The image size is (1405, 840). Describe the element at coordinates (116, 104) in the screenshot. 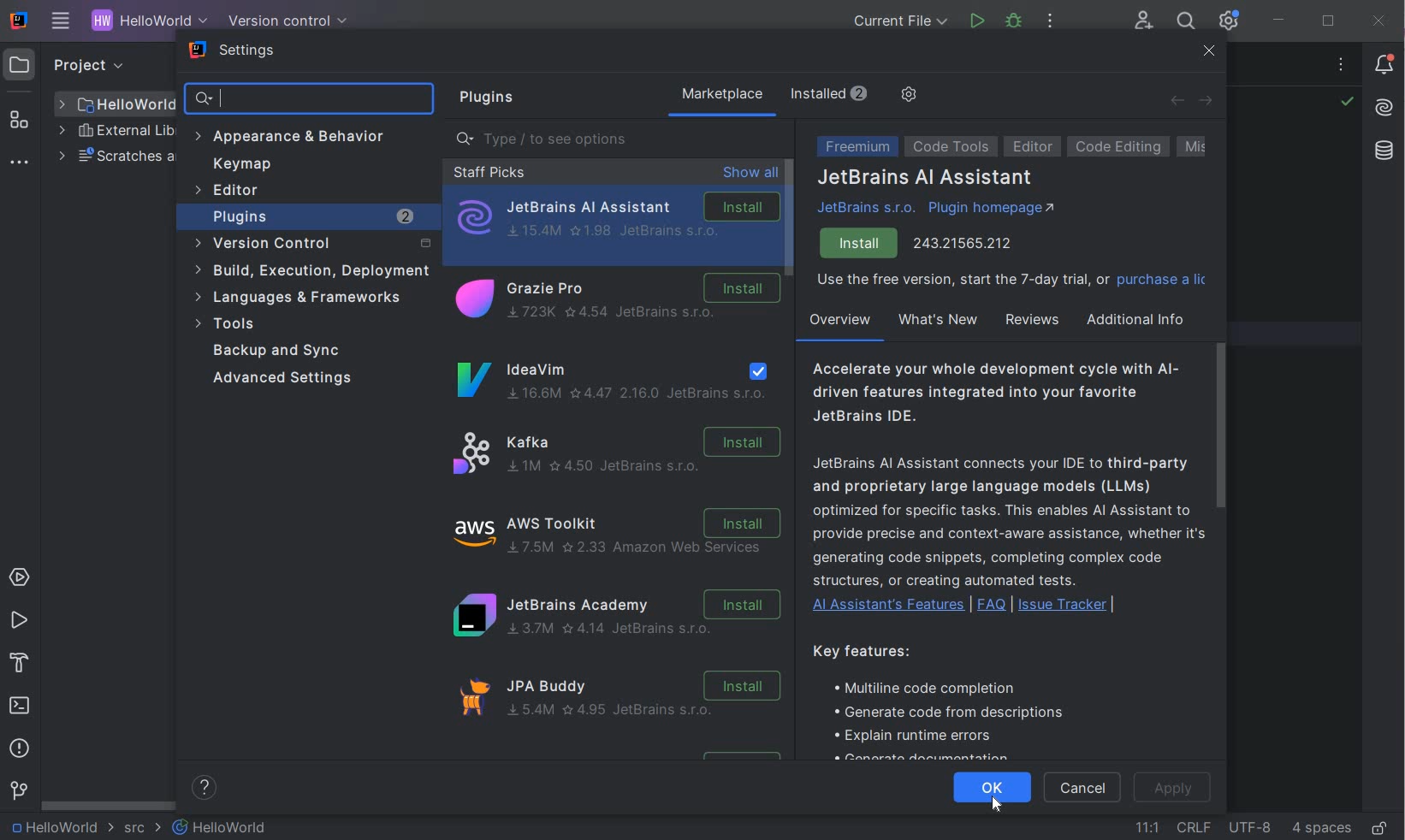

I see `FILE NAME` at that location.